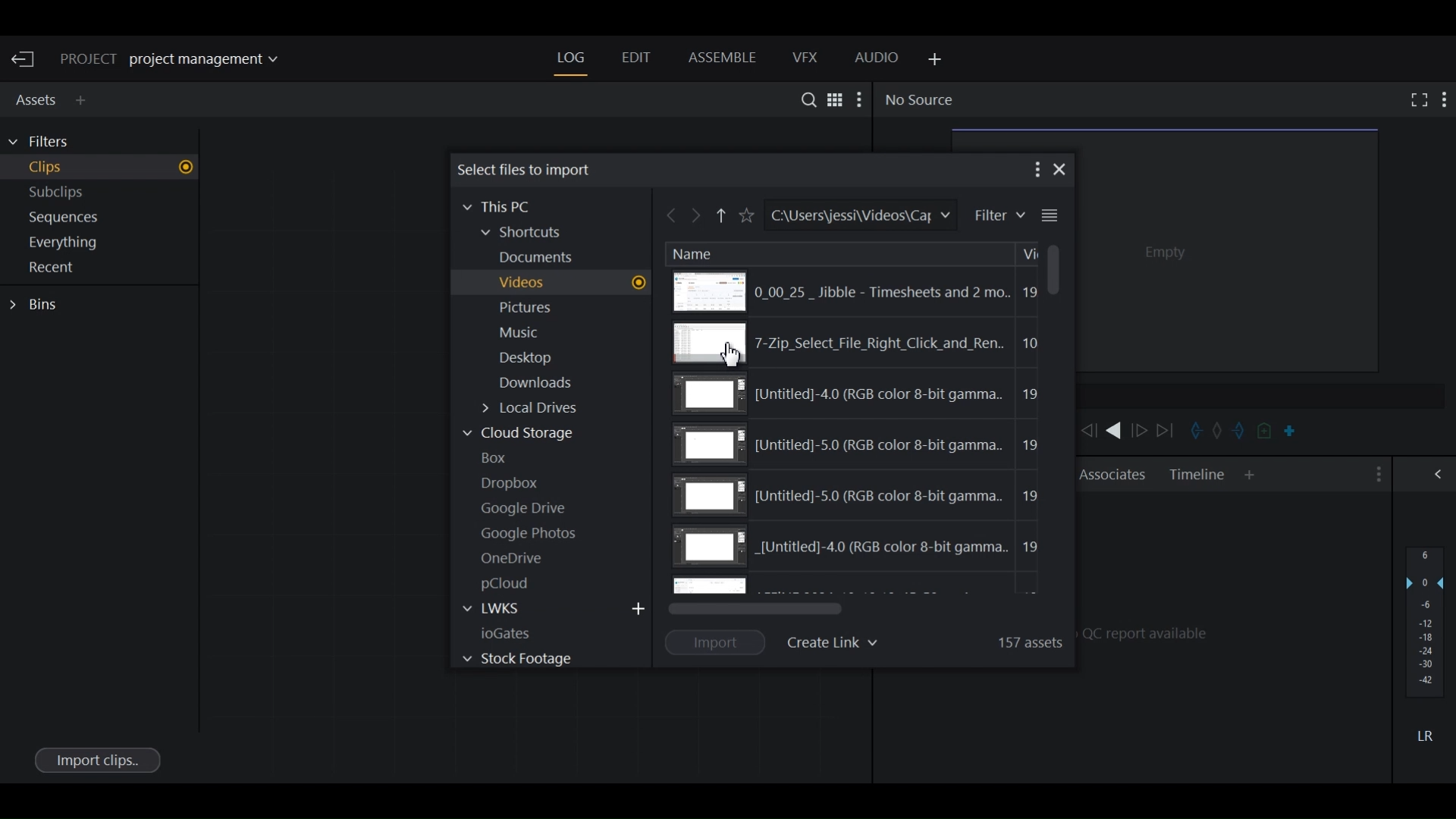 The height and width of the screenshot is (819, 1456). What do you see at coordinates (96, 759) in the screenshot?
I see `Import clips` at bounding box center [96, 759].